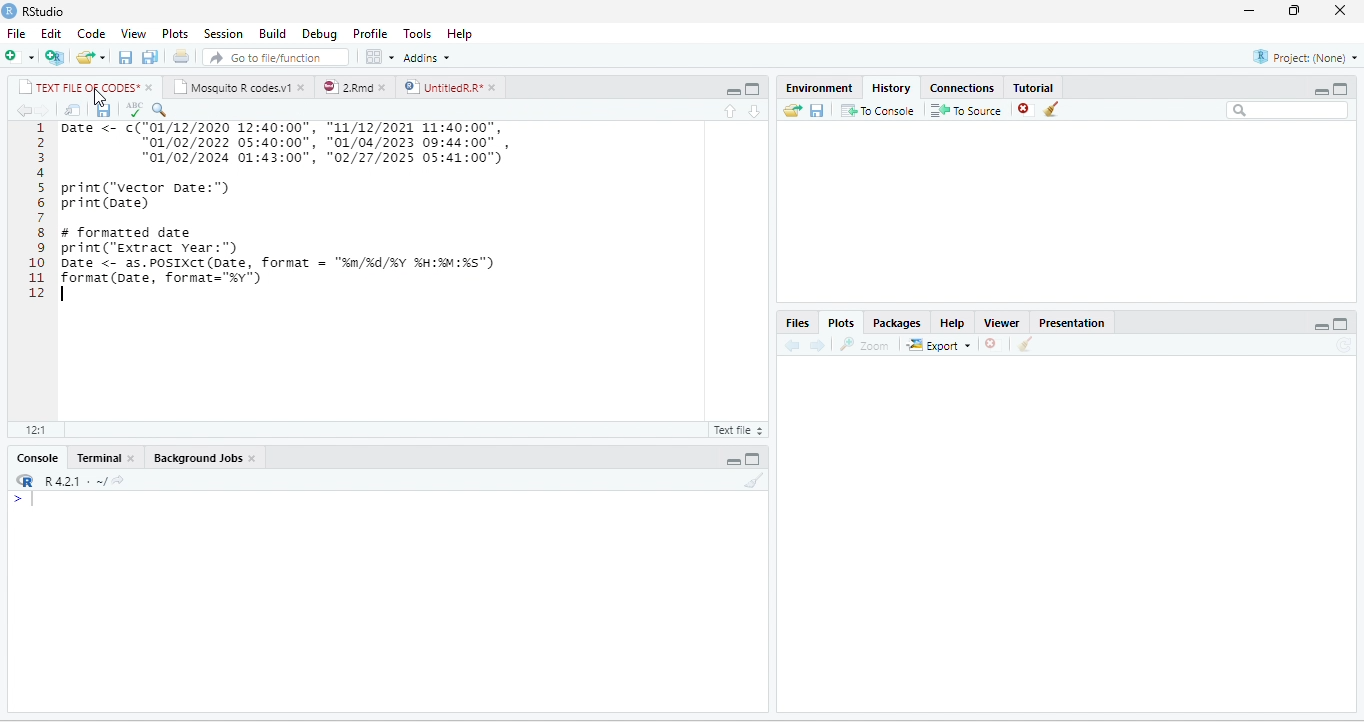  Describe the element at coordinates (1287, 111) in the screenshot. I see `search bar` at that location.